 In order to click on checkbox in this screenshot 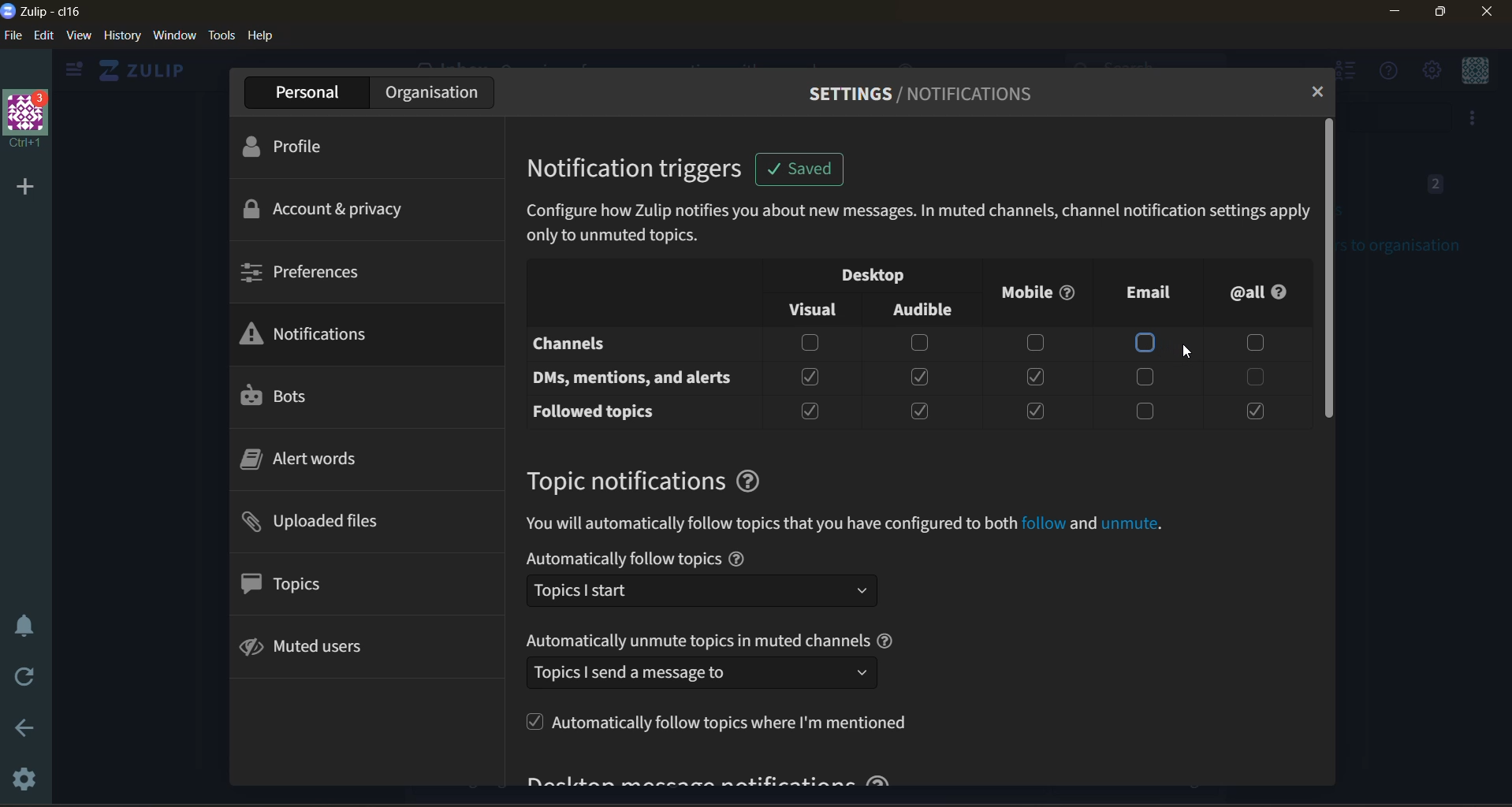, I will do `click(1253, 412)`.